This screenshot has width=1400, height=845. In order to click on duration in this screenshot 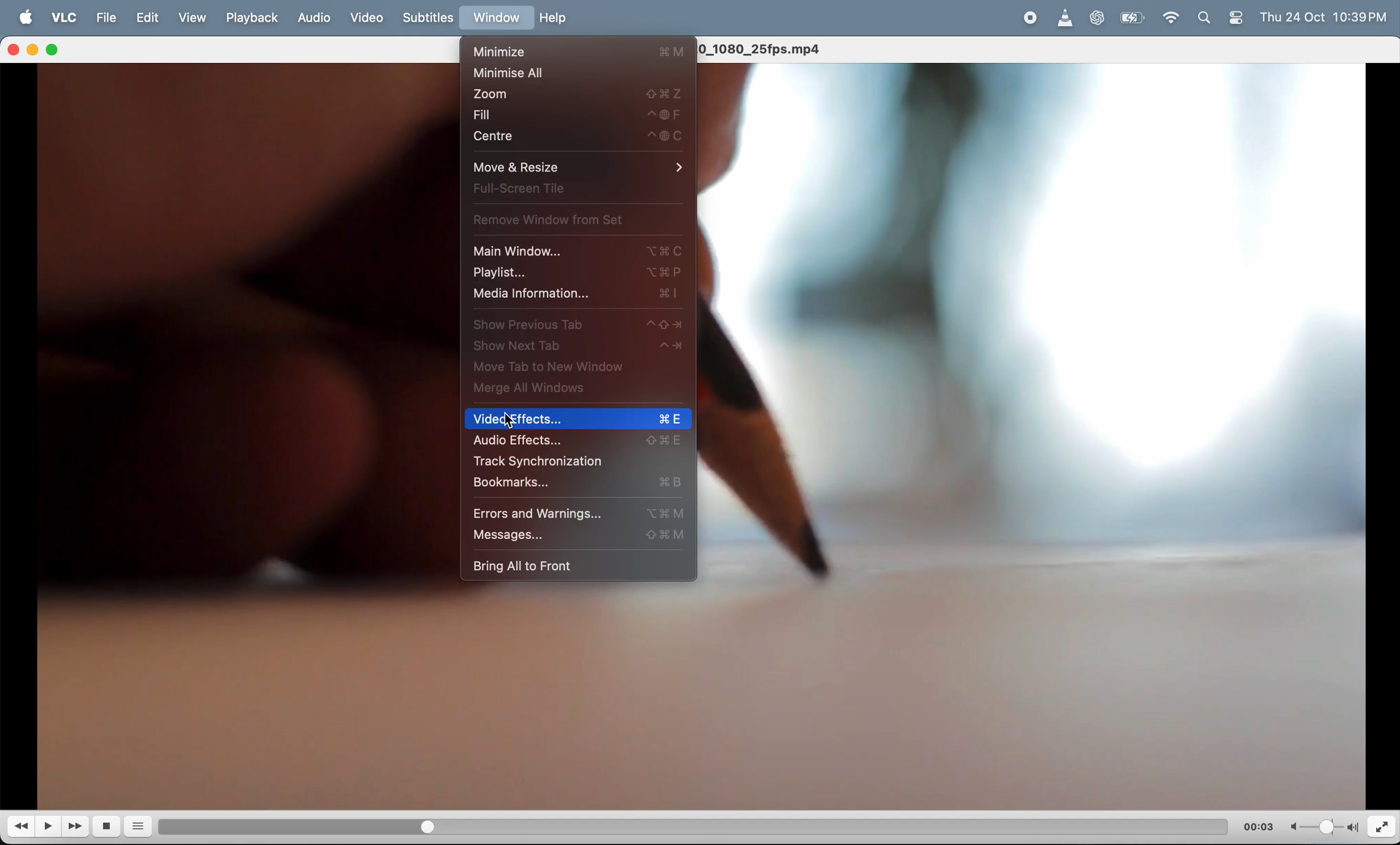, I will do `click(678, 825)`.